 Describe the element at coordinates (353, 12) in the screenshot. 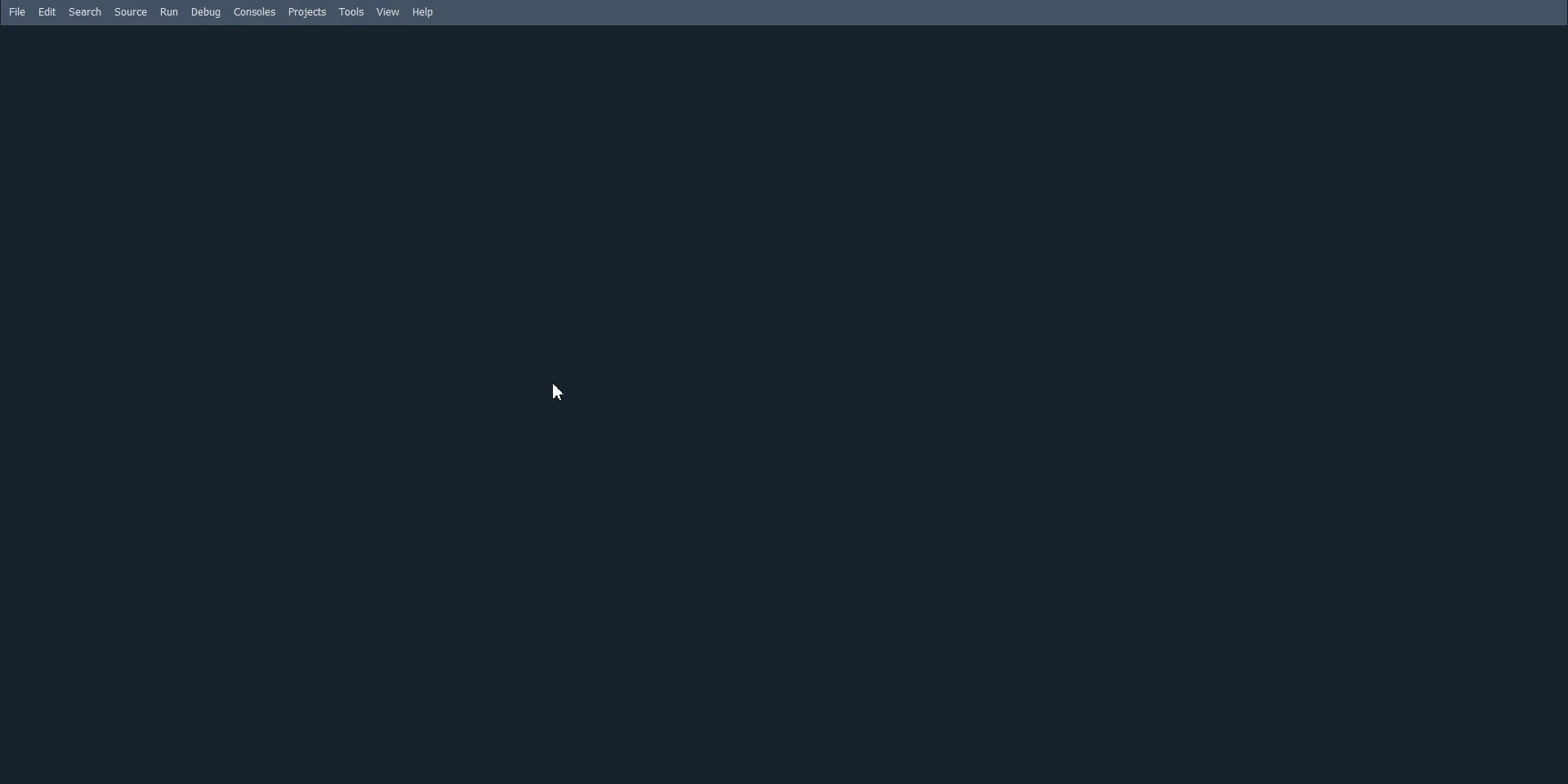

I see `Tools` at that location.